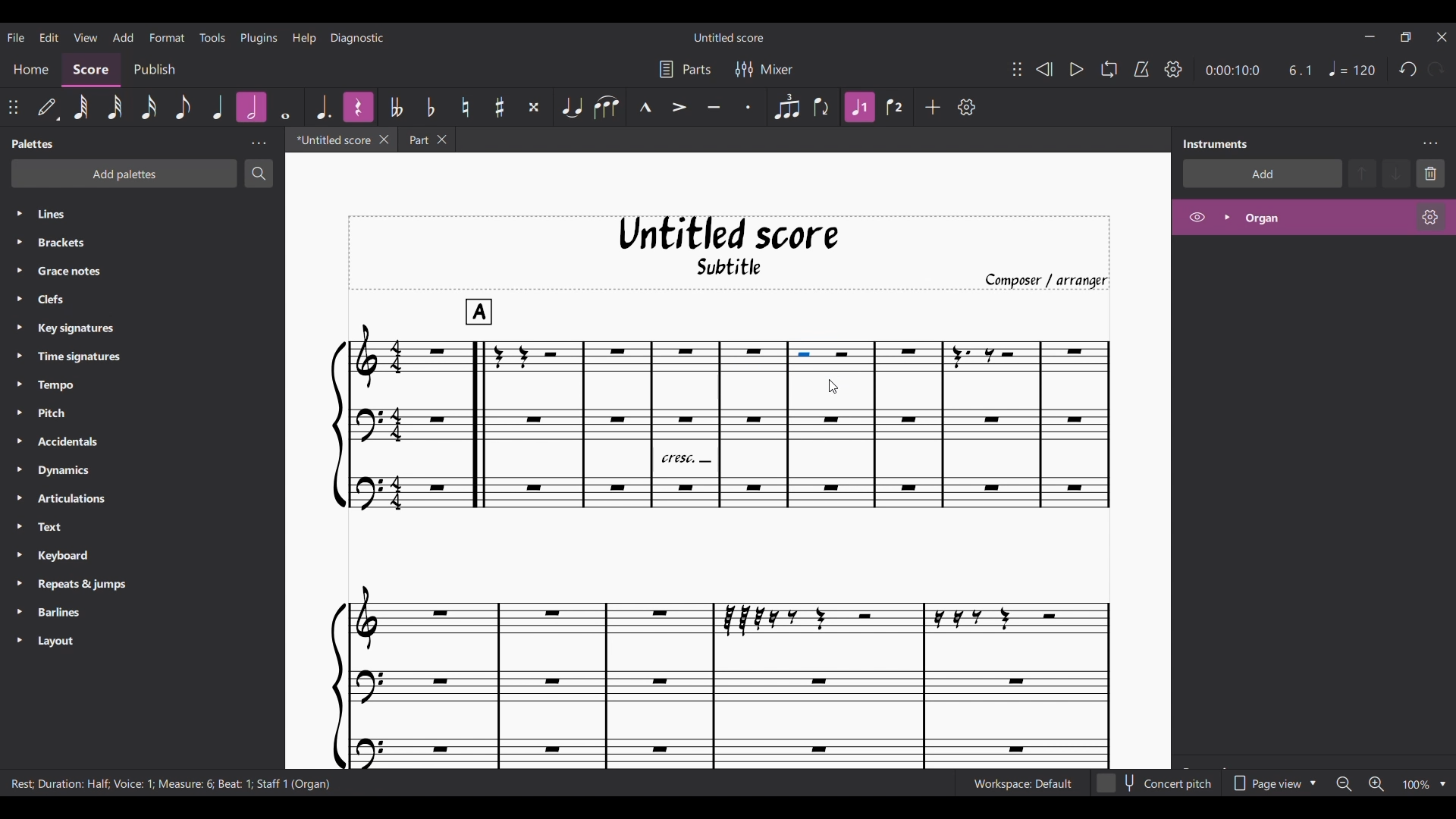  What do you see at coordinates (123, 36) in the screenshot?
I see `Add menu` at bounding box center [123, 36].